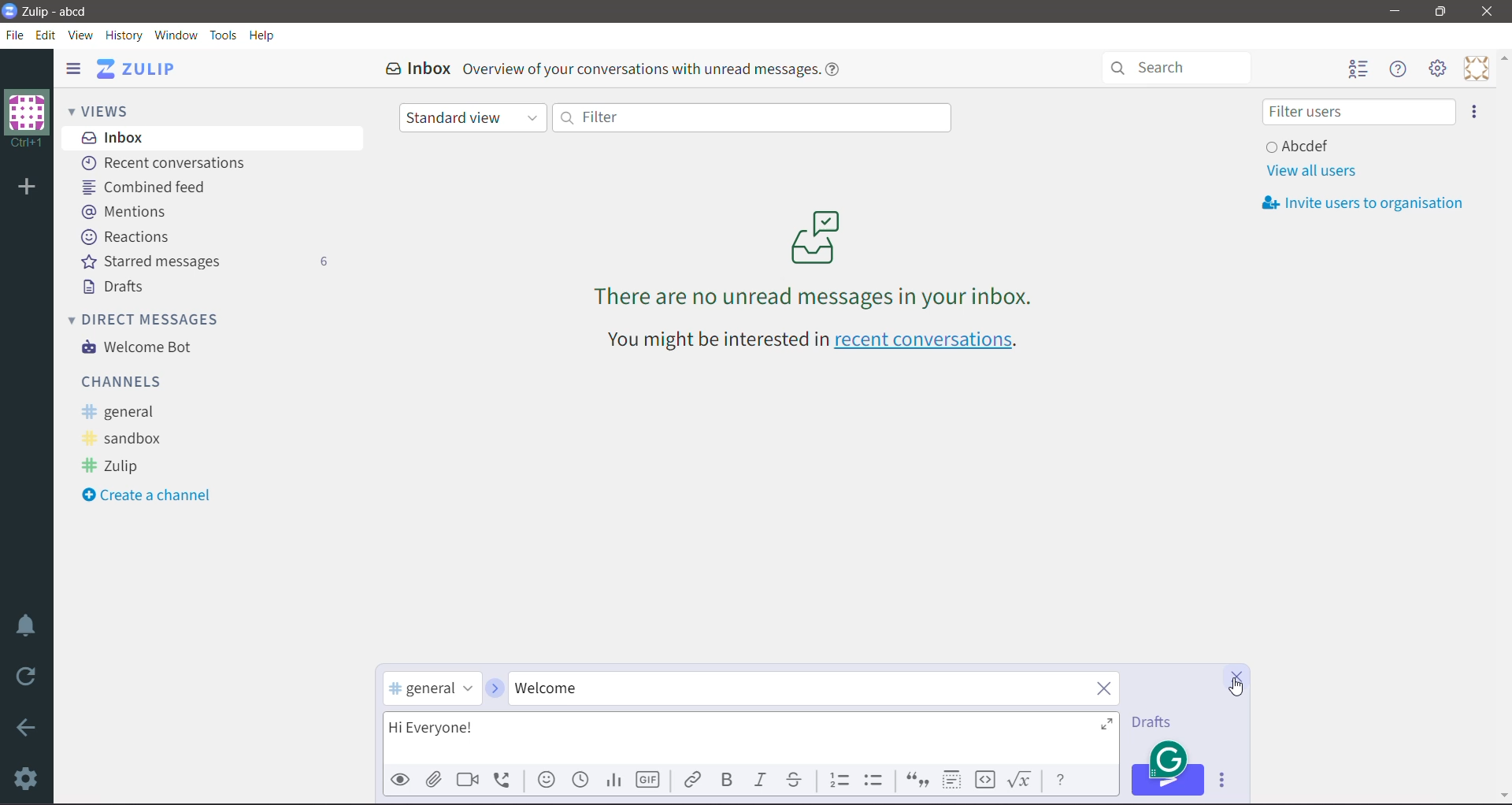 The width and height of the screenshot is (1512, 805). I want to click on View all users, so click(1310, 171).